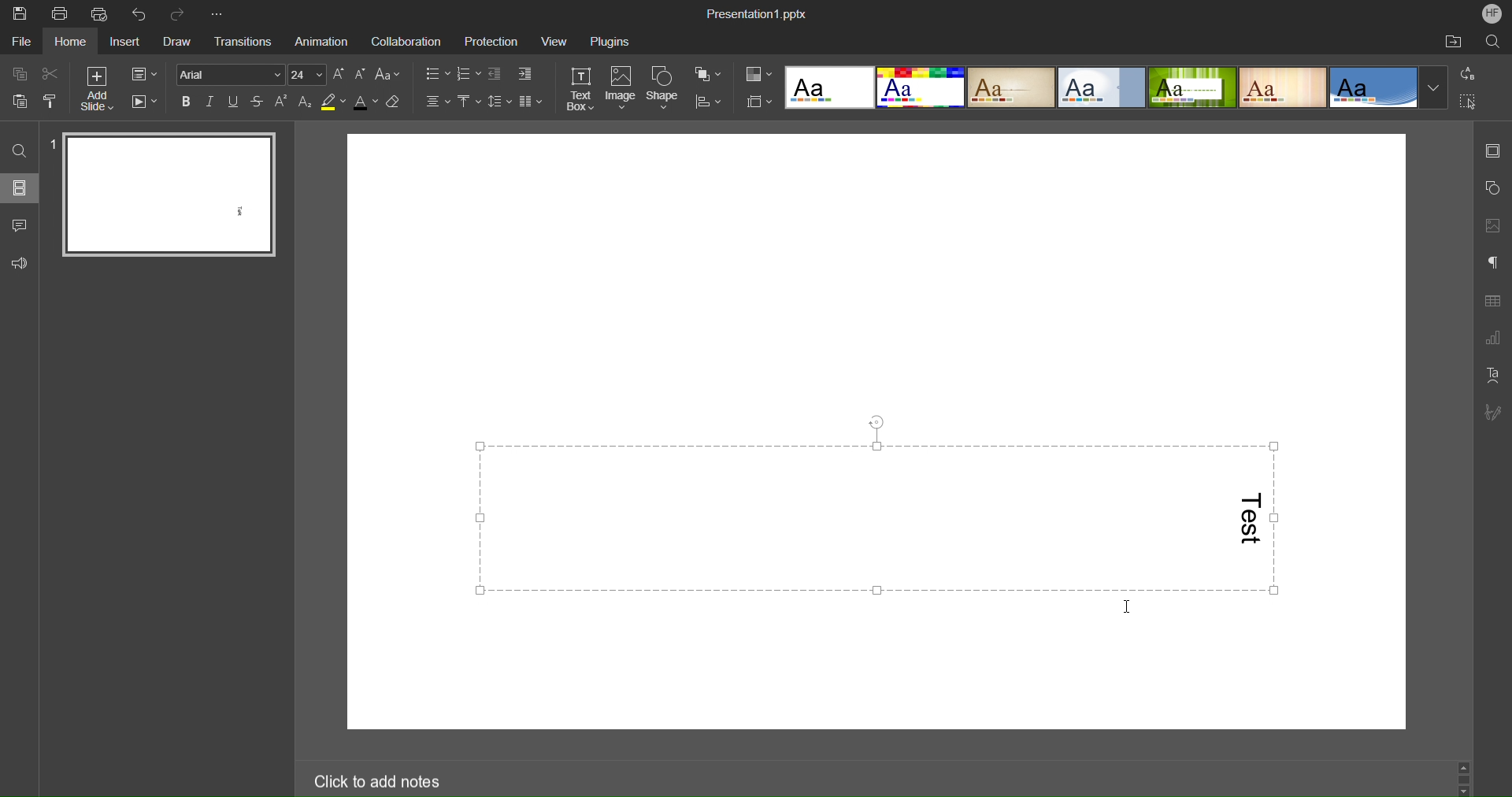 This screenshot has height=797, width=1512. What do you see at coordinates (307, 75) in the screenshot?
I see `Font Size` at bounding box center [307, 75].